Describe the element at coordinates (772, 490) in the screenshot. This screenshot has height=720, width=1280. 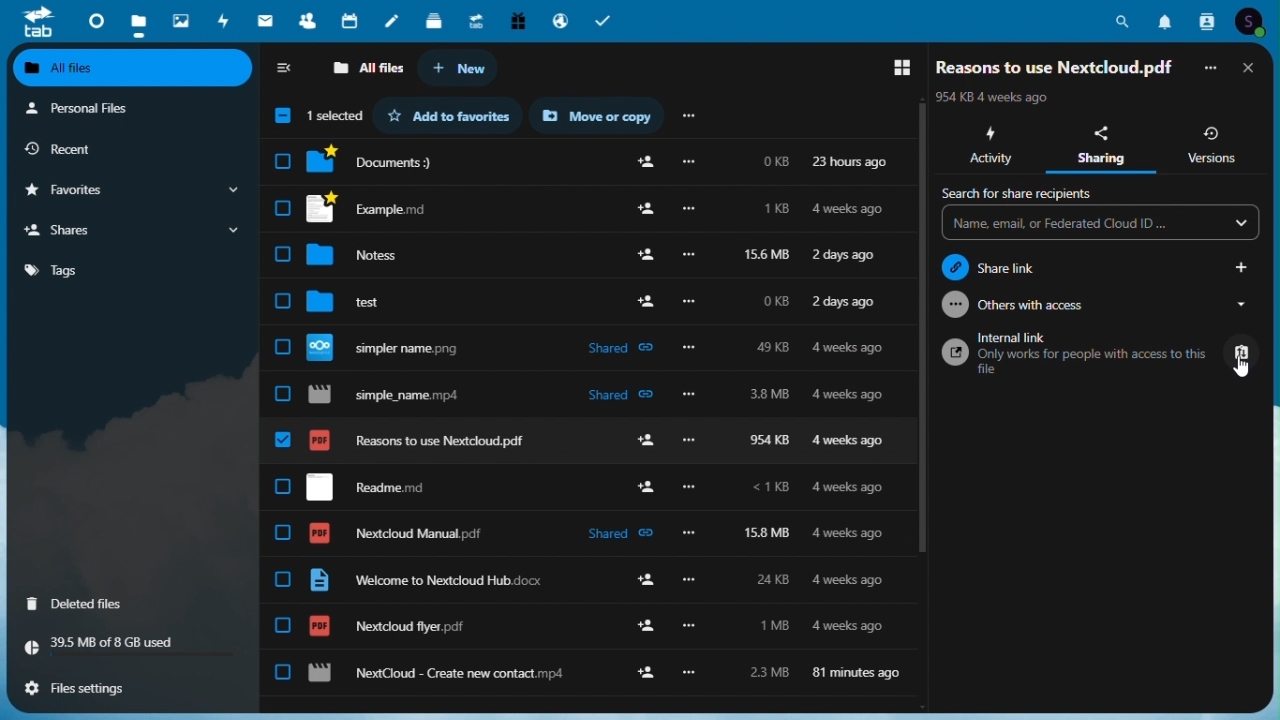
I see `<1 kb` at that location.